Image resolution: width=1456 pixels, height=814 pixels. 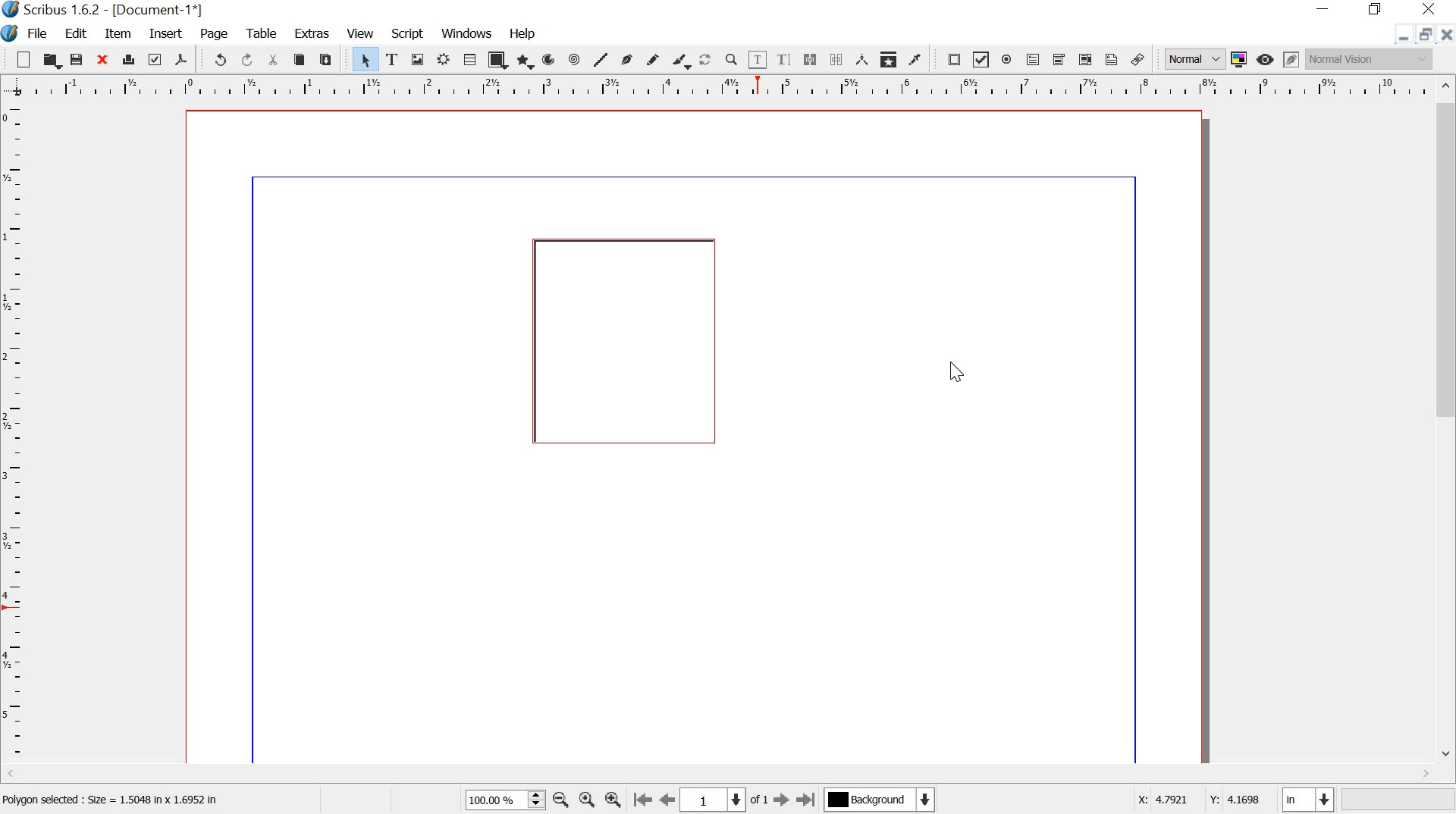 What do you see at coordinates (420, 61) in the screenshot?
I see `image frame` at bounding box center [420, 61].